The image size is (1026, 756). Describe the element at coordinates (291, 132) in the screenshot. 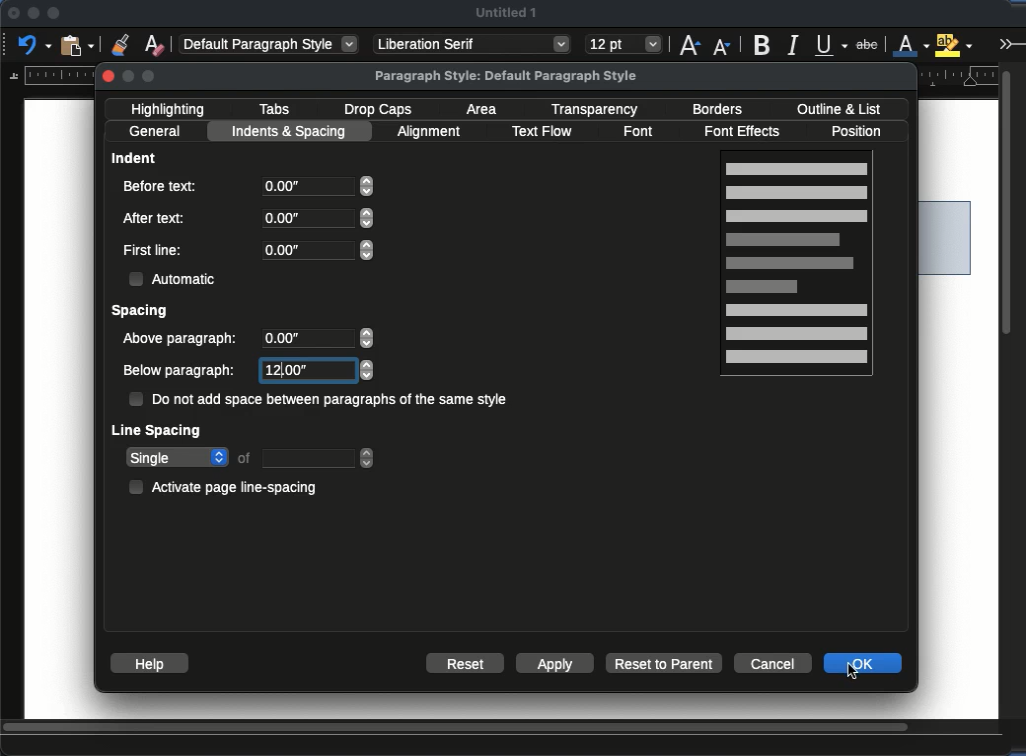

I see `indents and spacing` at that location.